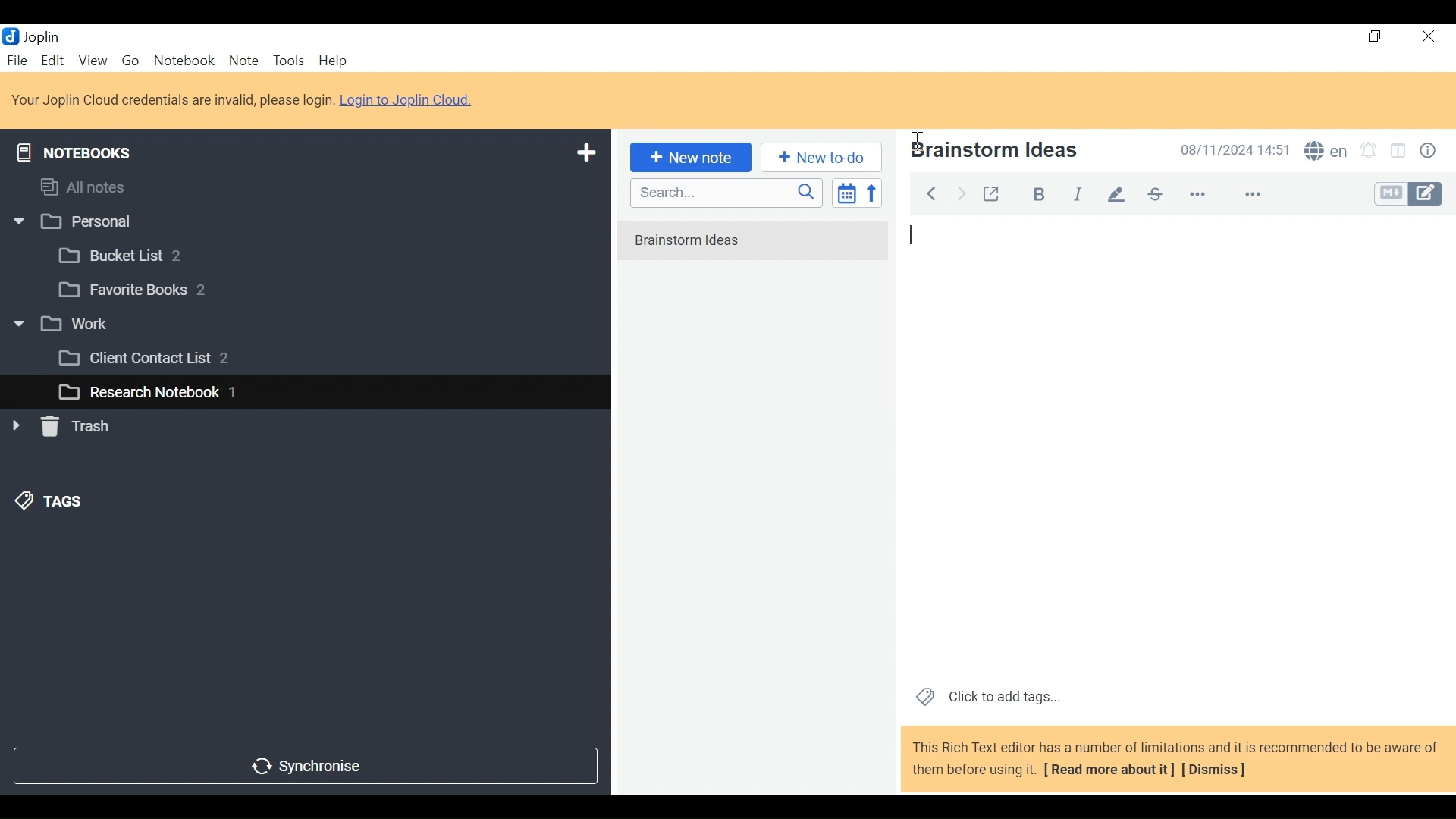 The width and height of the screenshot is (1456, 819). I want to click on Restore, so click(1376, 37).